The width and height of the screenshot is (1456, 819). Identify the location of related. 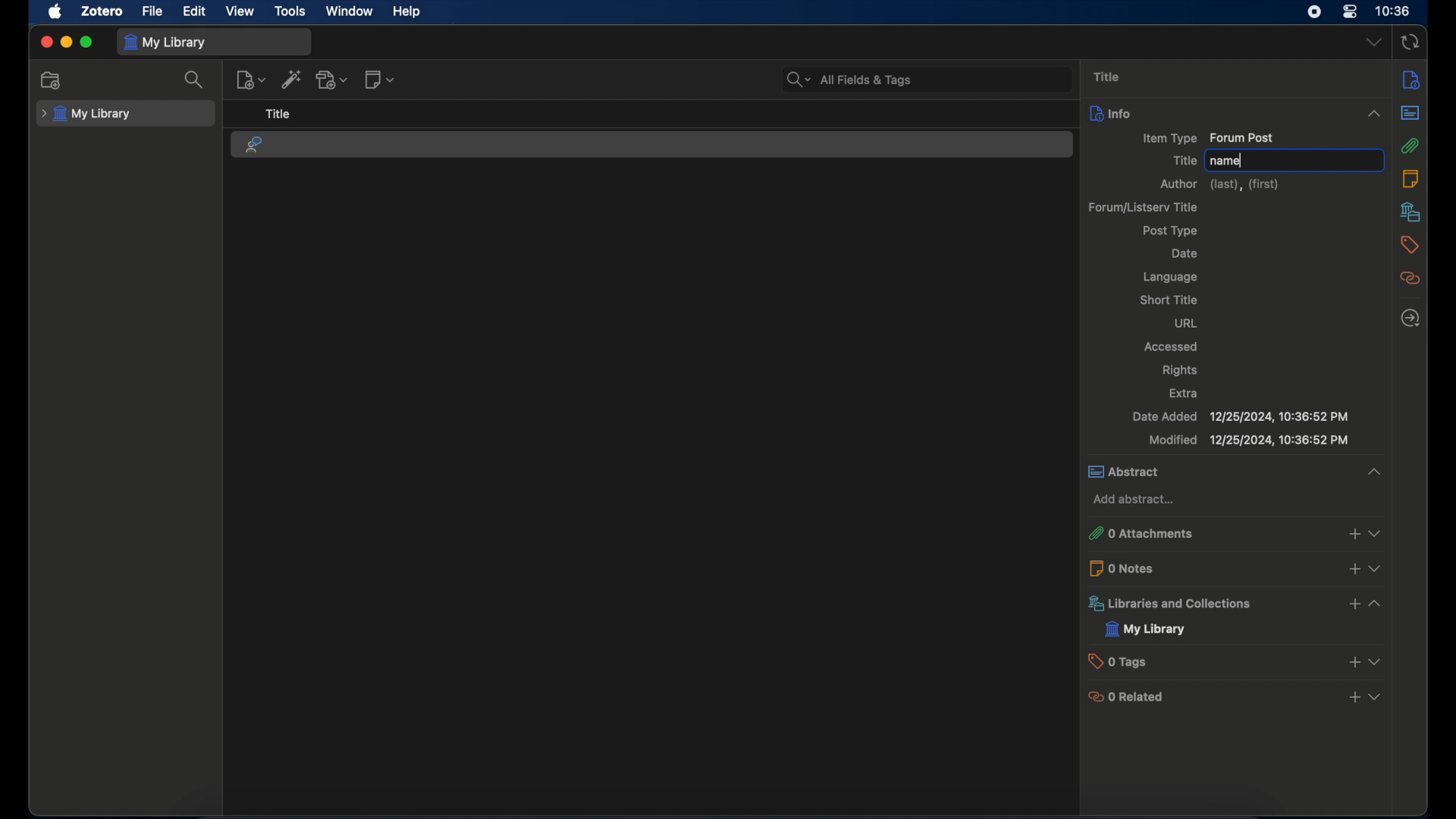
(1410, 279).